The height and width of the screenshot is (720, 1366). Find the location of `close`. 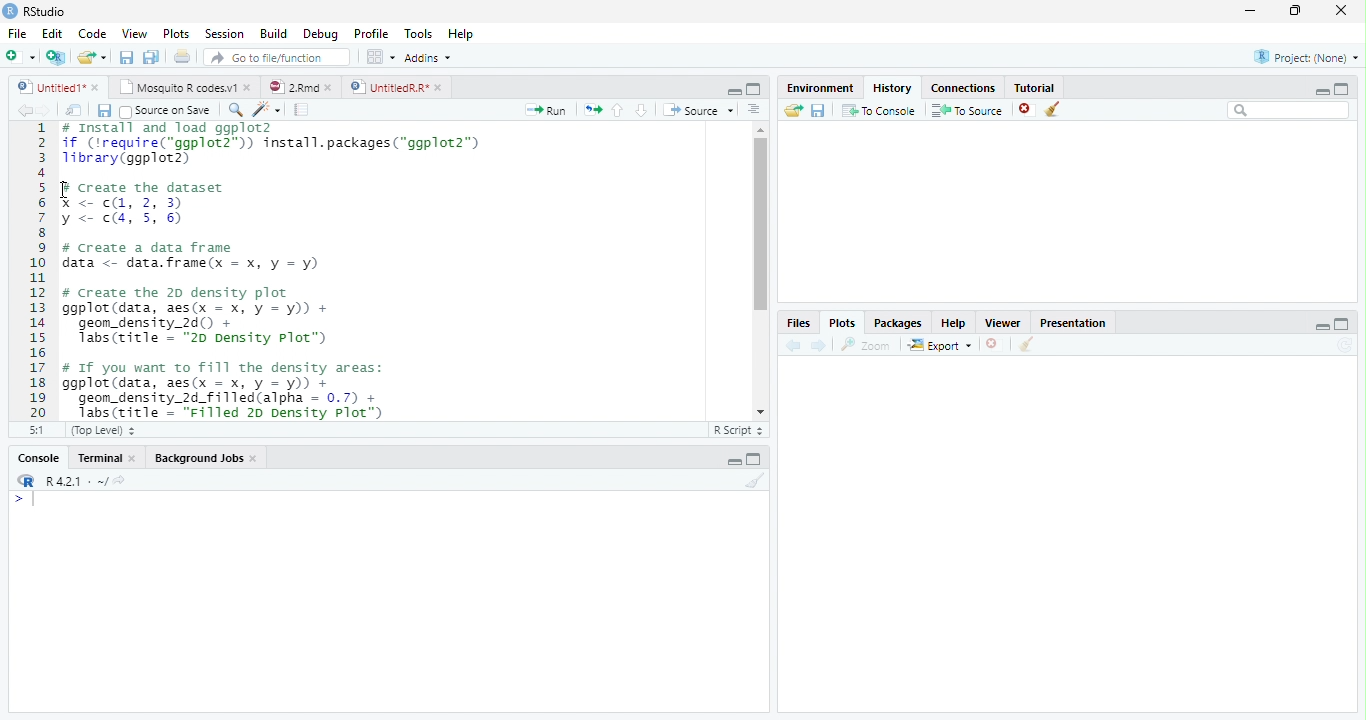

close is located at coordinates (440, 87).